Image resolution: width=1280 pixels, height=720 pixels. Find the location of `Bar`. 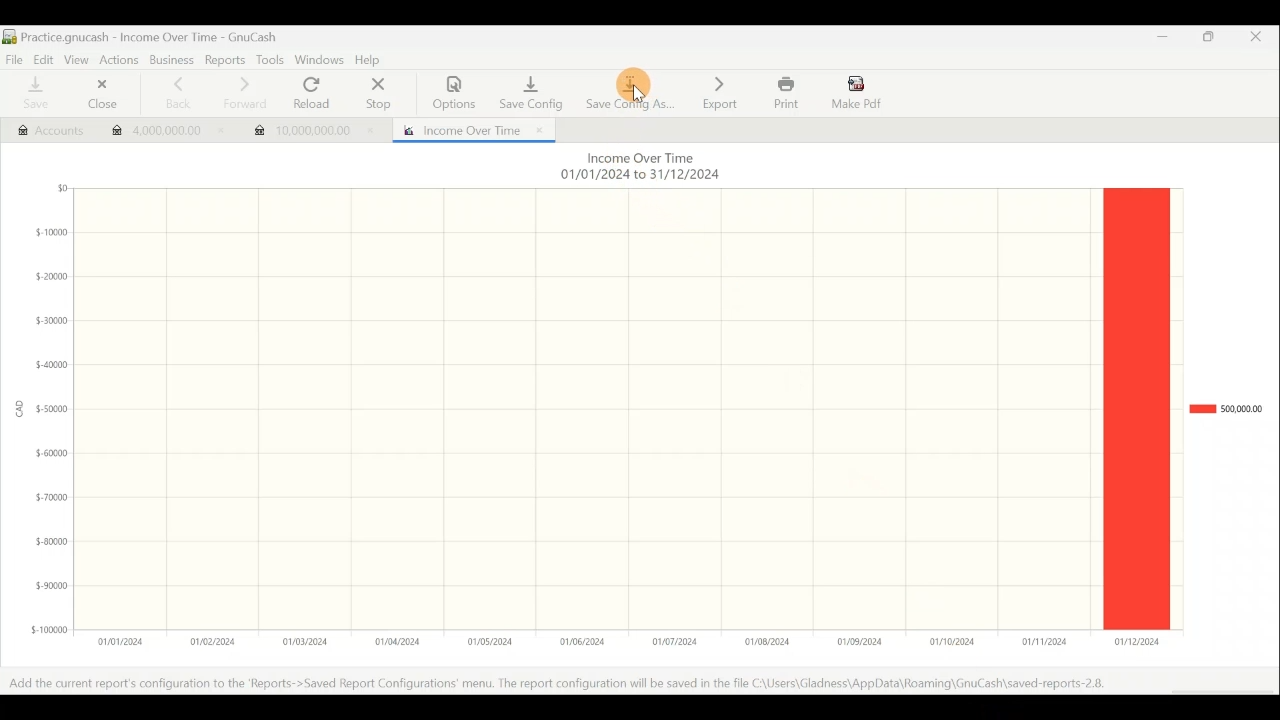

Bar is located at coordinates (1136, 411).